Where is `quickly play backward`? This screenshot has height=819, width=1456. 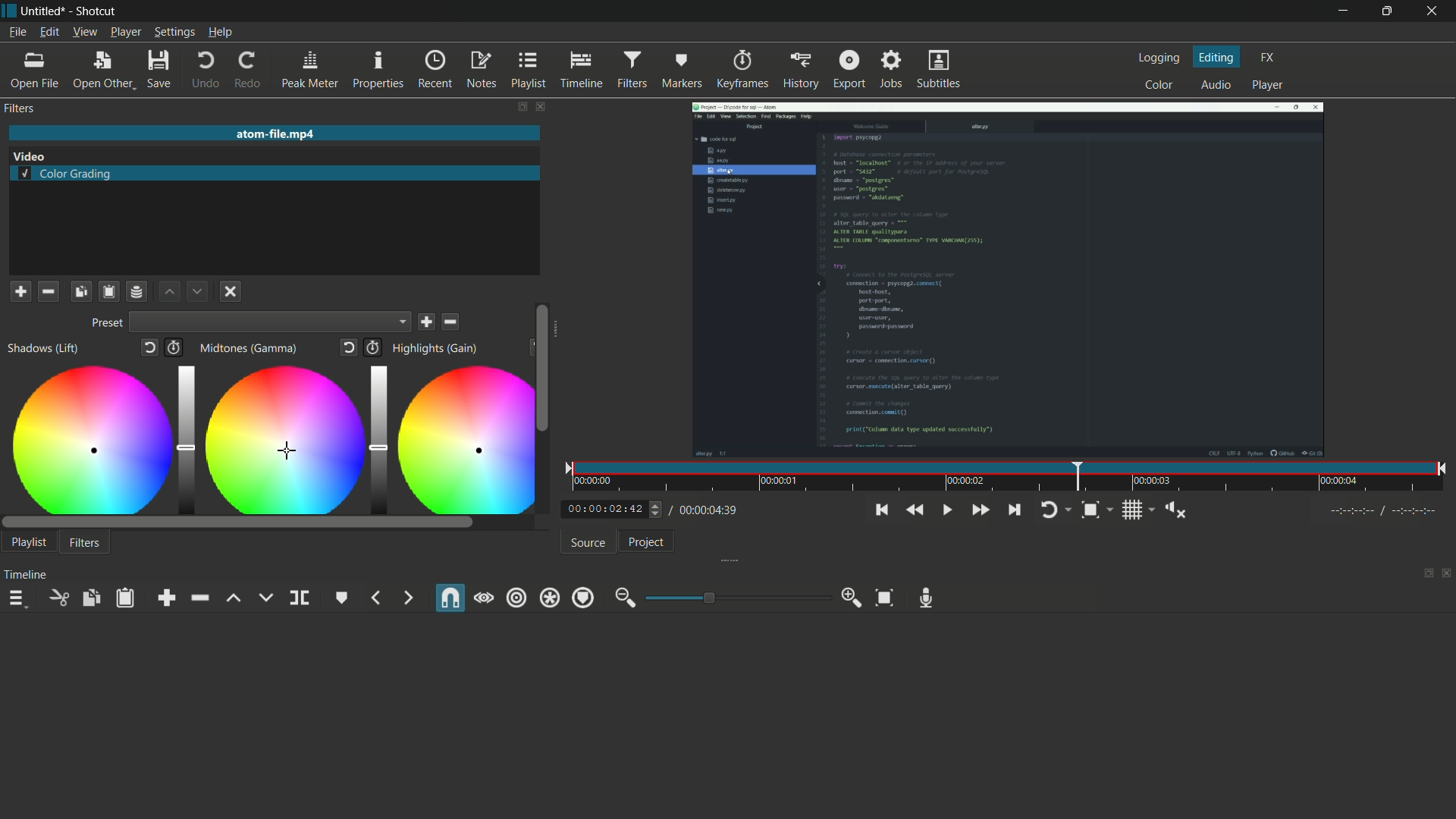 quickly play backward is located at coordinates (912, 510).